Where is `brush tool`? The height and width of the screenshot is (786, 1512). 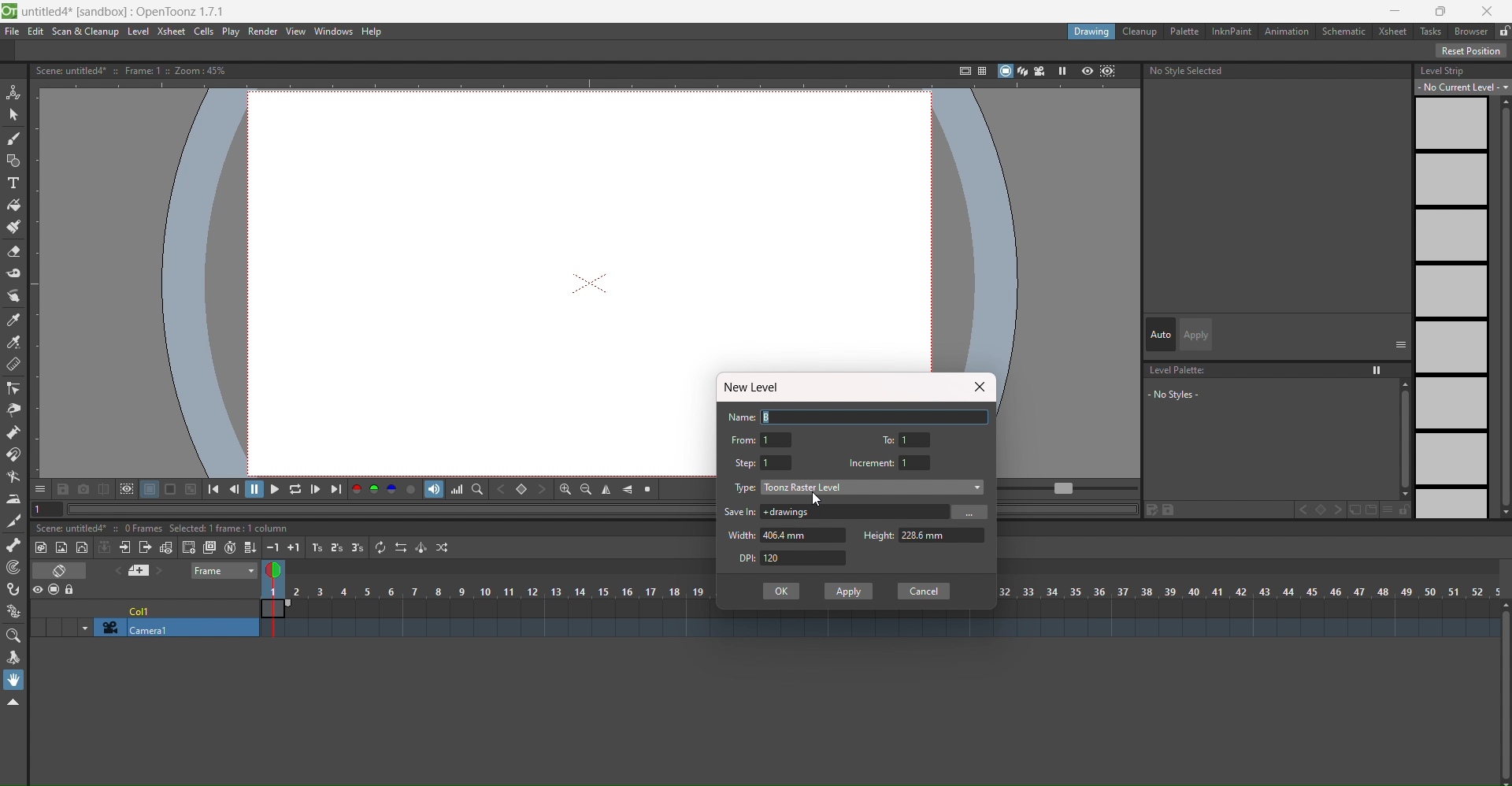 brush tool is located at coordinates (13, 139).